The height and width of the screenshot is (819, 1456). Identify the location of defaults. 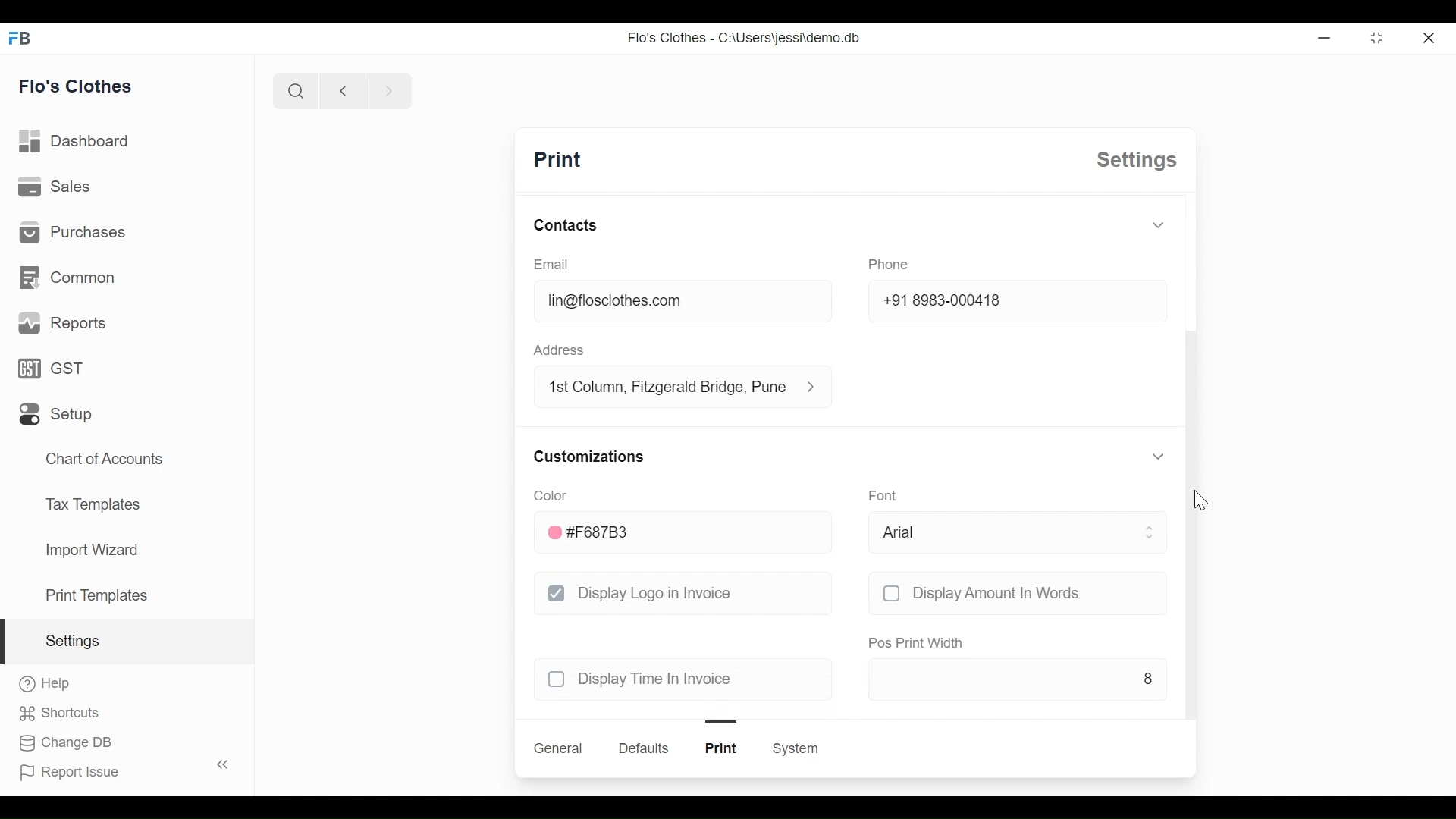
(645, 748).